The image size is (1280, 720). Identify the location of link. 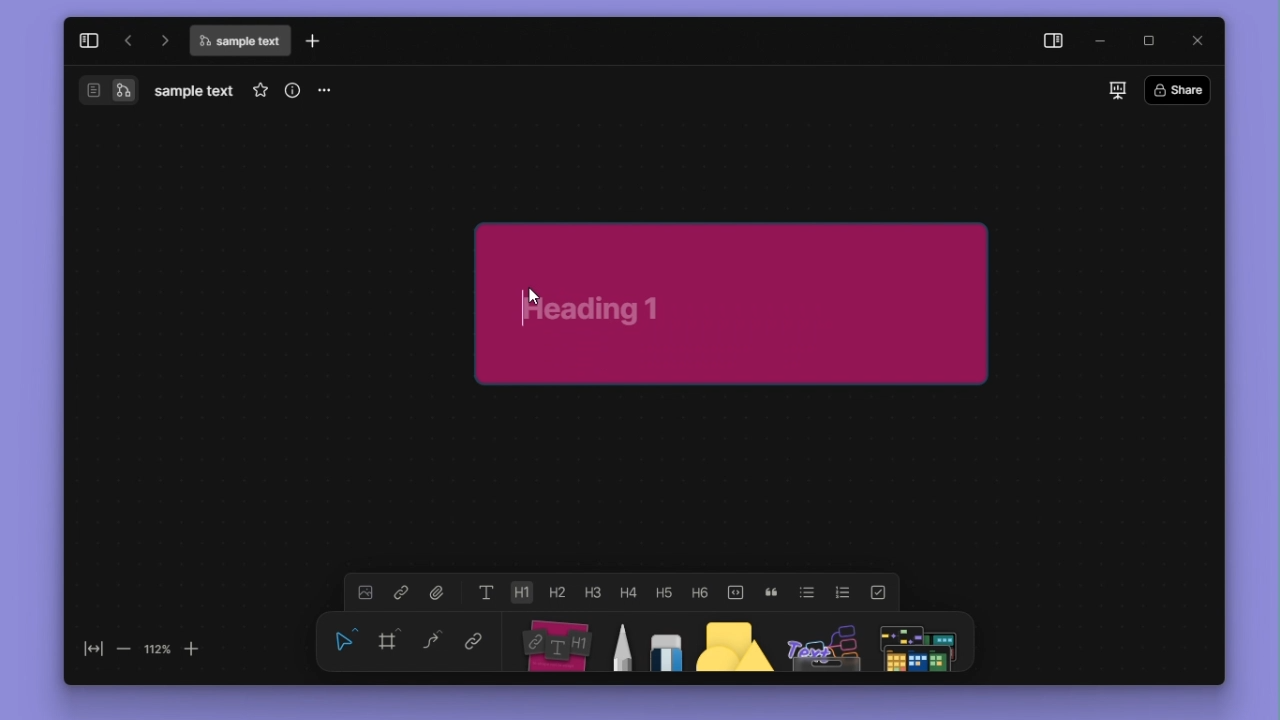
(401, 592).